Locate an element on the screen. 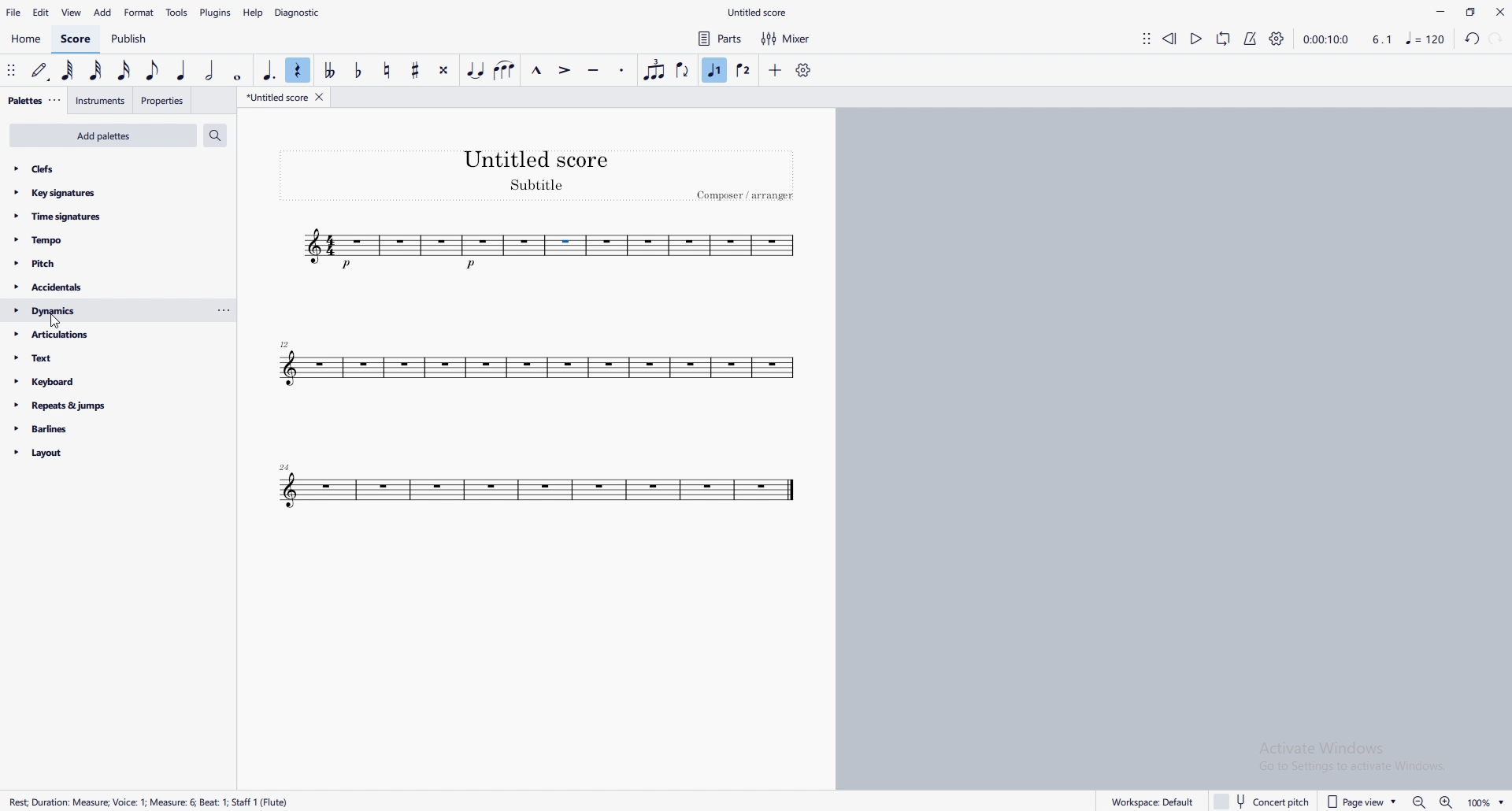 Image resolution: width=1512 pixels, height=811 pixels. workplace default is located at coordinates (1141, 796).